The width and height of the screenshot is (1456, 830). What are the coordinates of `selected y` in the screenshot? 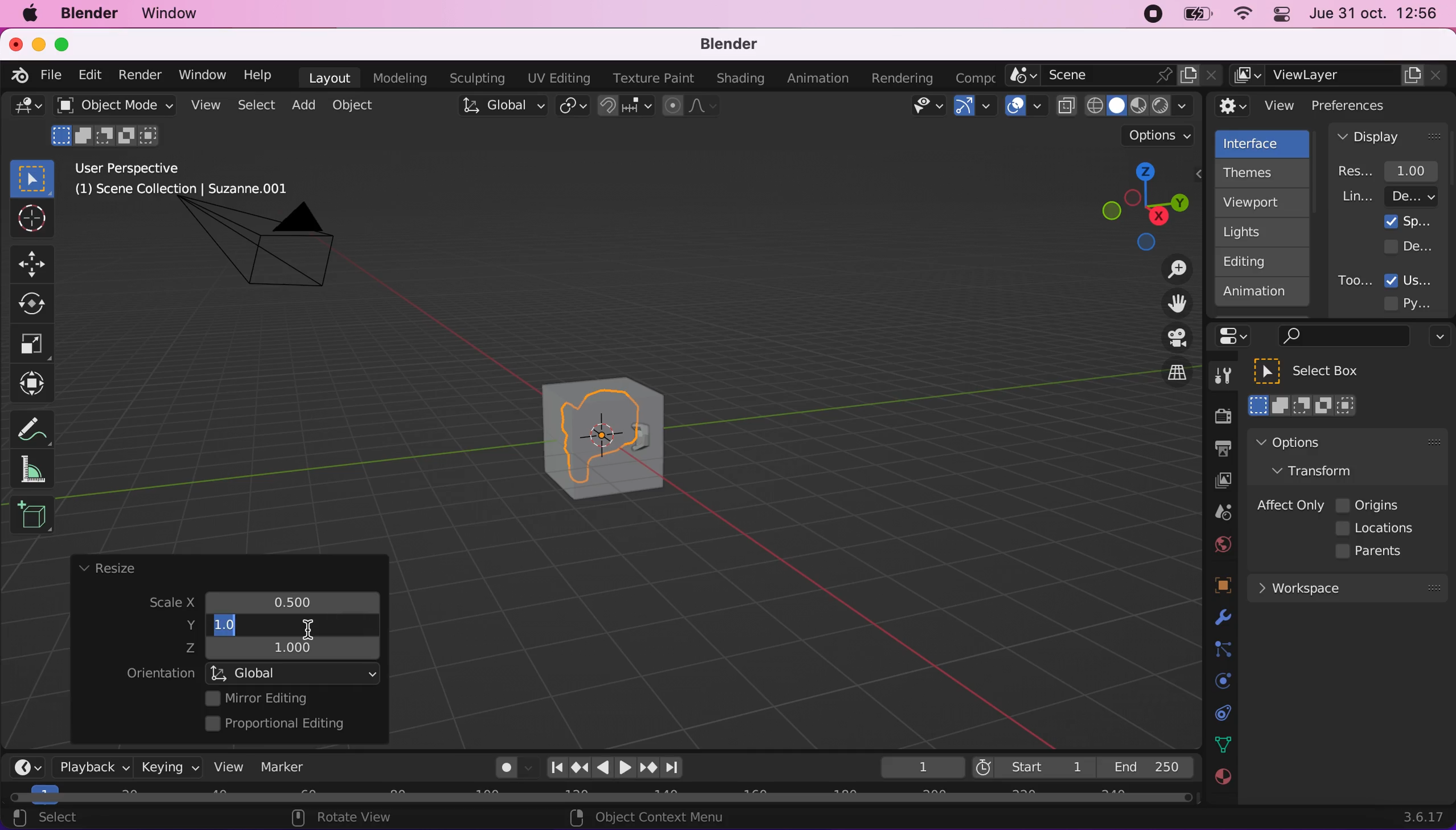 It's located at (232, 625).